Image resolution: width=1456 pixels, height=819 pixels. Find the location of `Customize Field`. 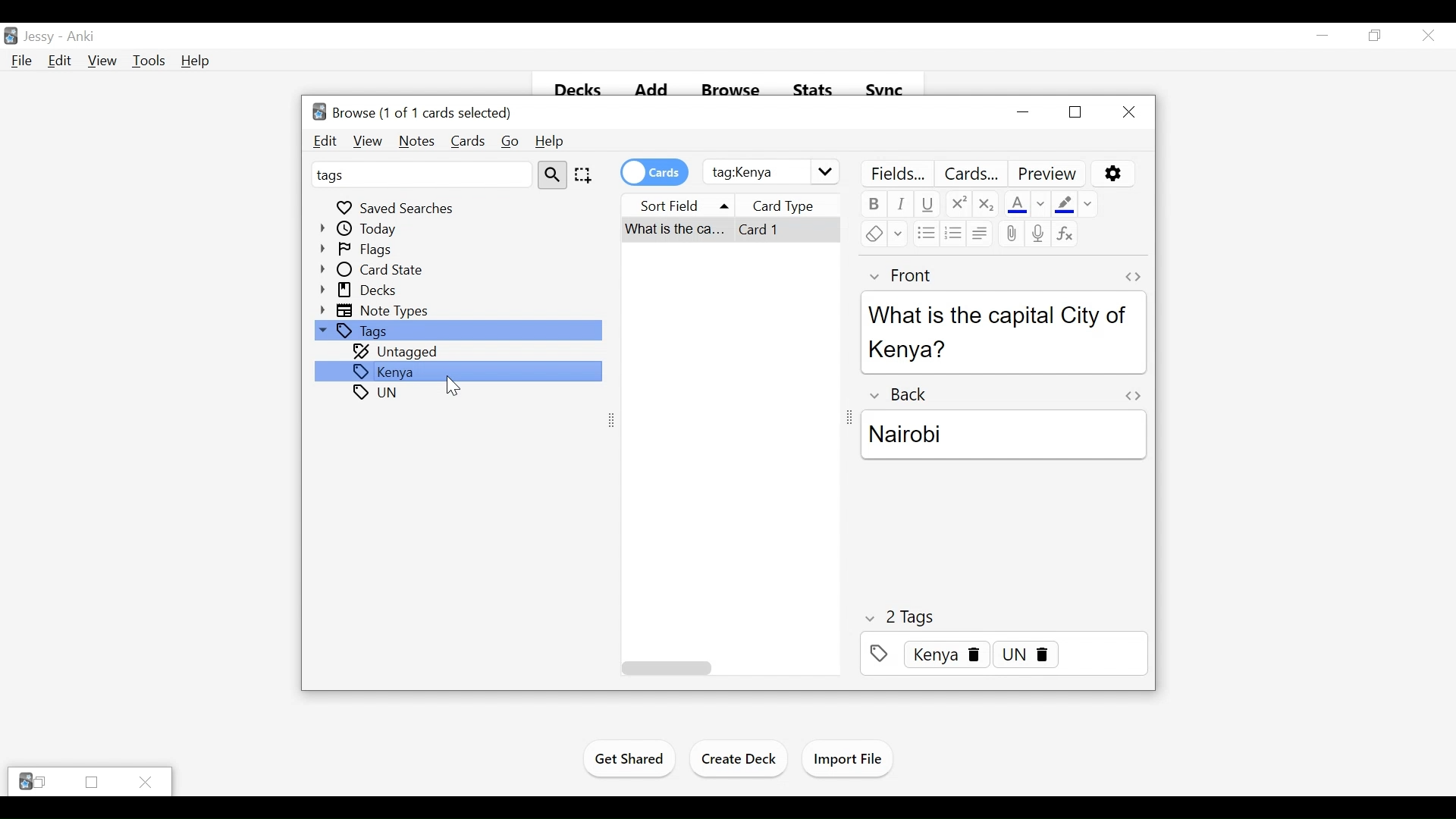

Customize Field is located at coordinates (897, 174).